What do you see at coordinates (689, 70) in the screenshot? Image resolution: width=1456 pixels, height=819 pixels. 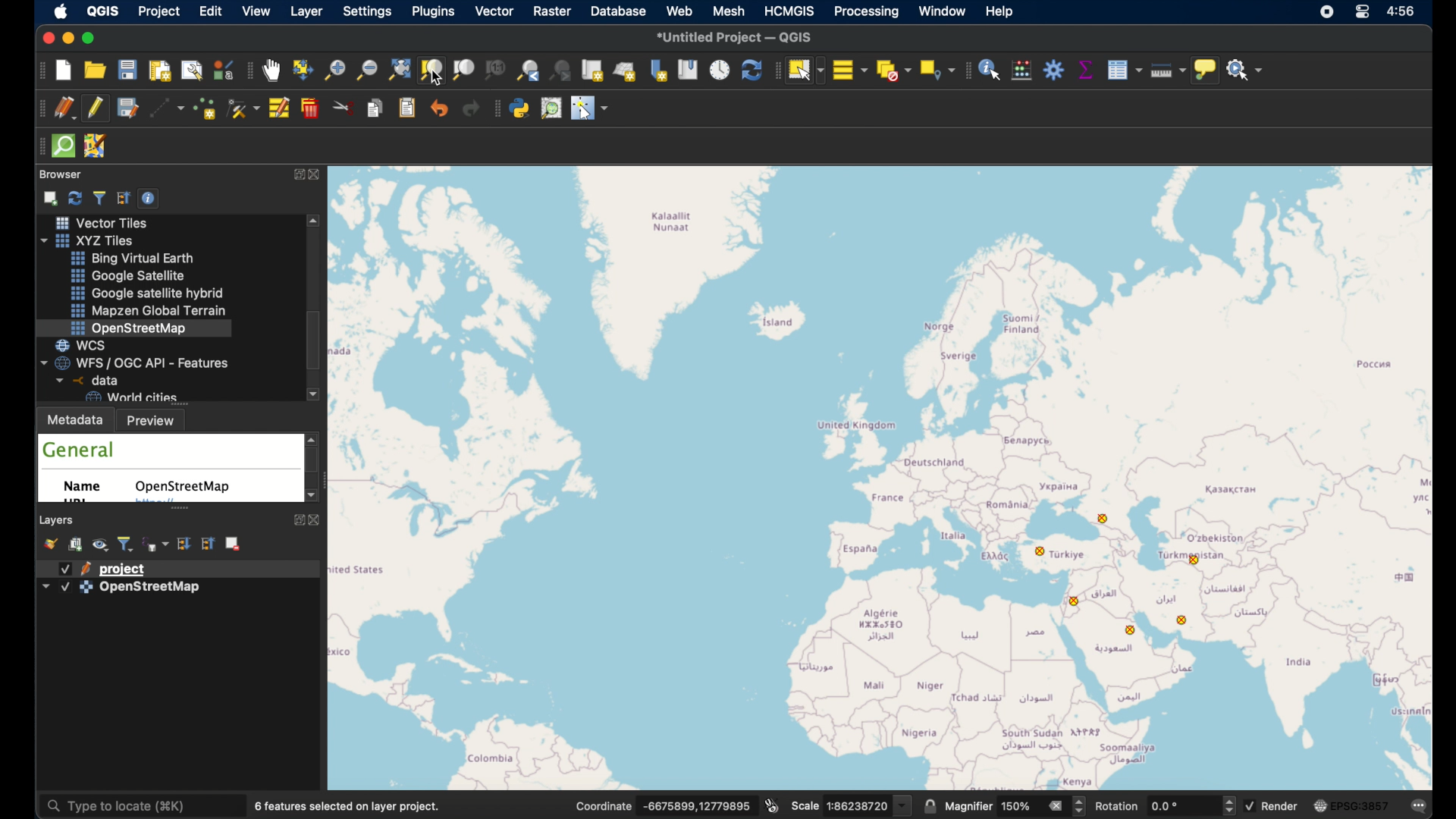 I see `show spatial bookmarks` at bounding box center [689, 70].